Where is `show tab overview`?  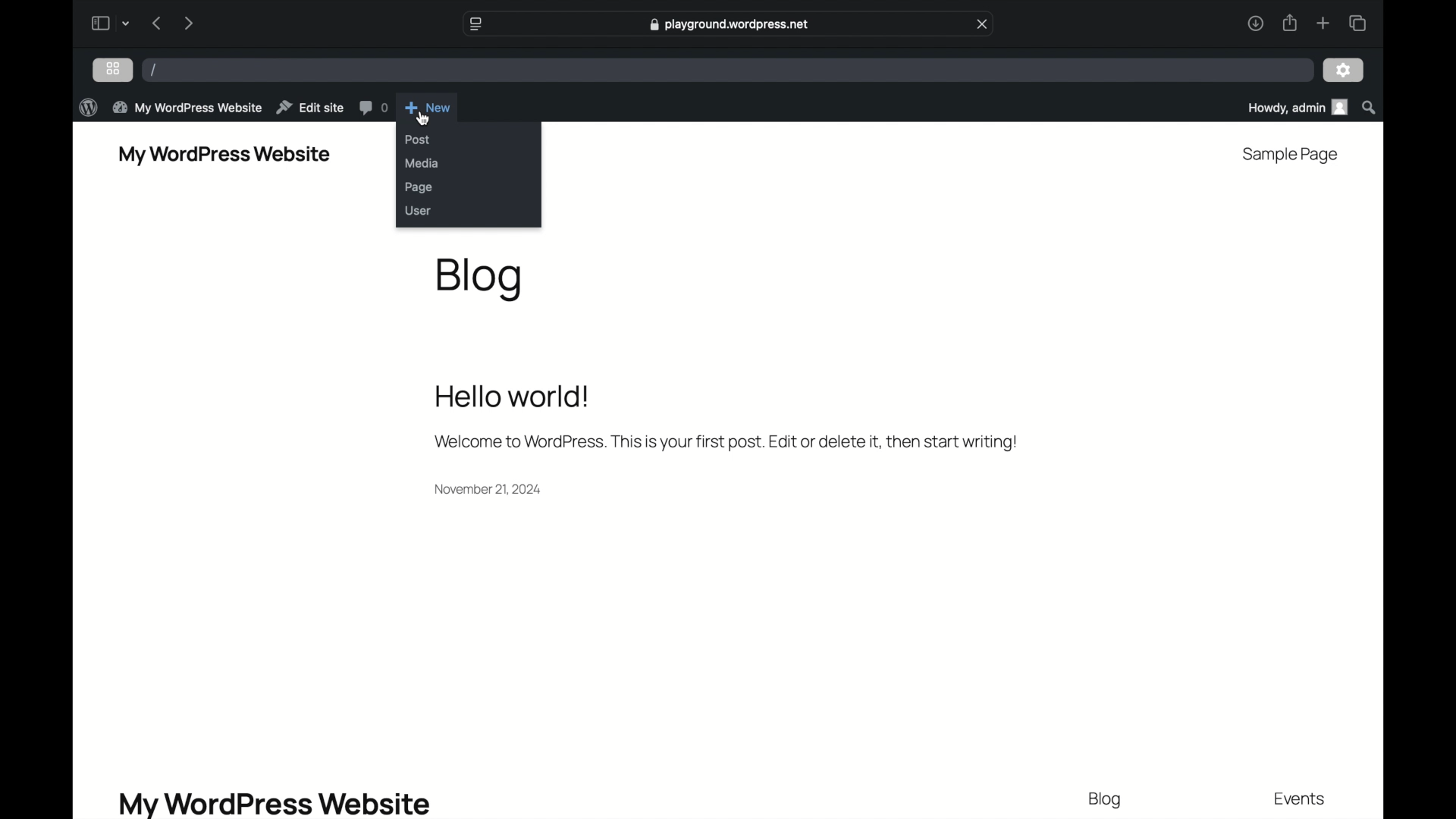 show tab overview is located at coordinates (1357, 23).